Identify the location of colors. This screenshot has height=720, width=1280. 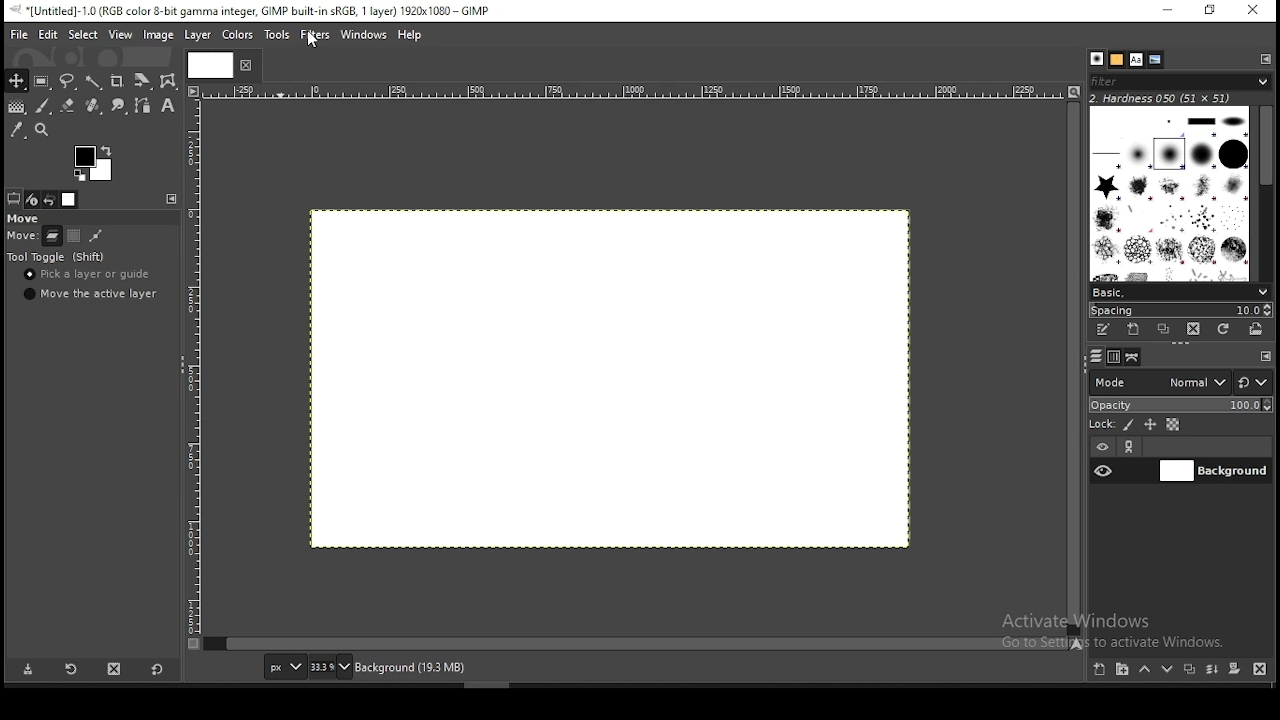
(97, 161).